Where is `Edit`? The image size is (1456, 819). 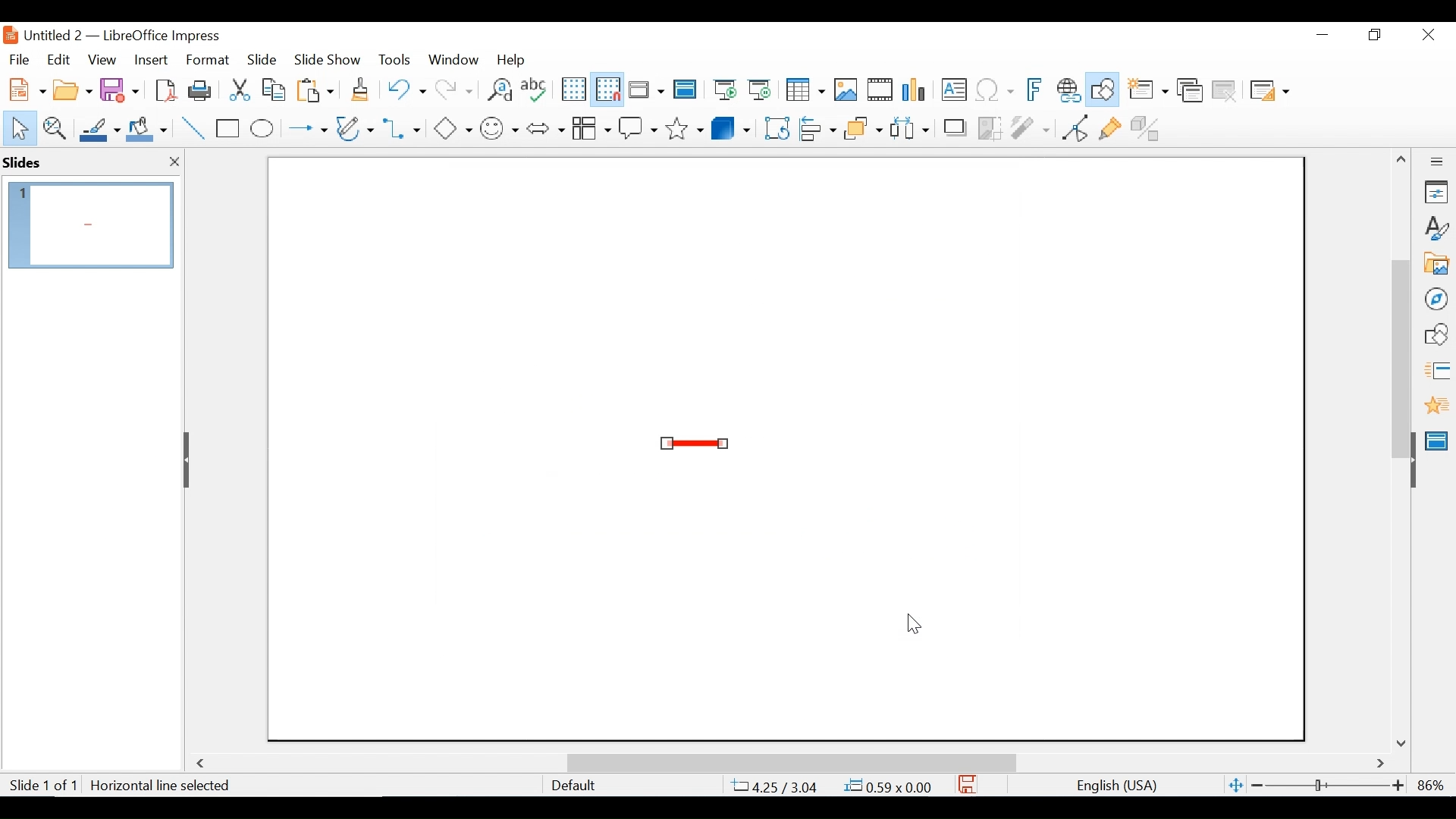
Edit is located at coordinates (57, 60).